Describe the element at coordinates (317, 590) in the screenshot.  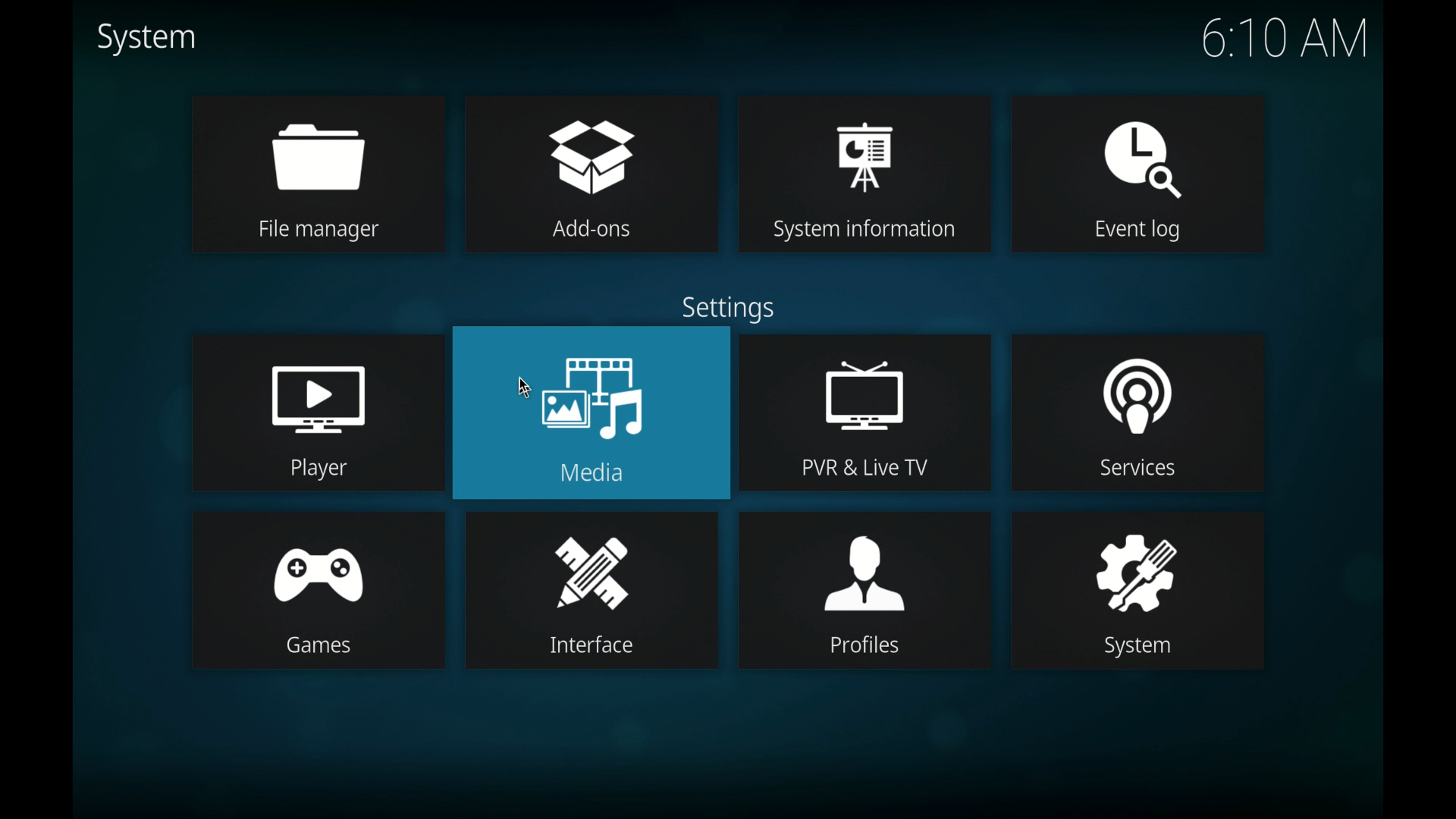
I see `games` at that location.